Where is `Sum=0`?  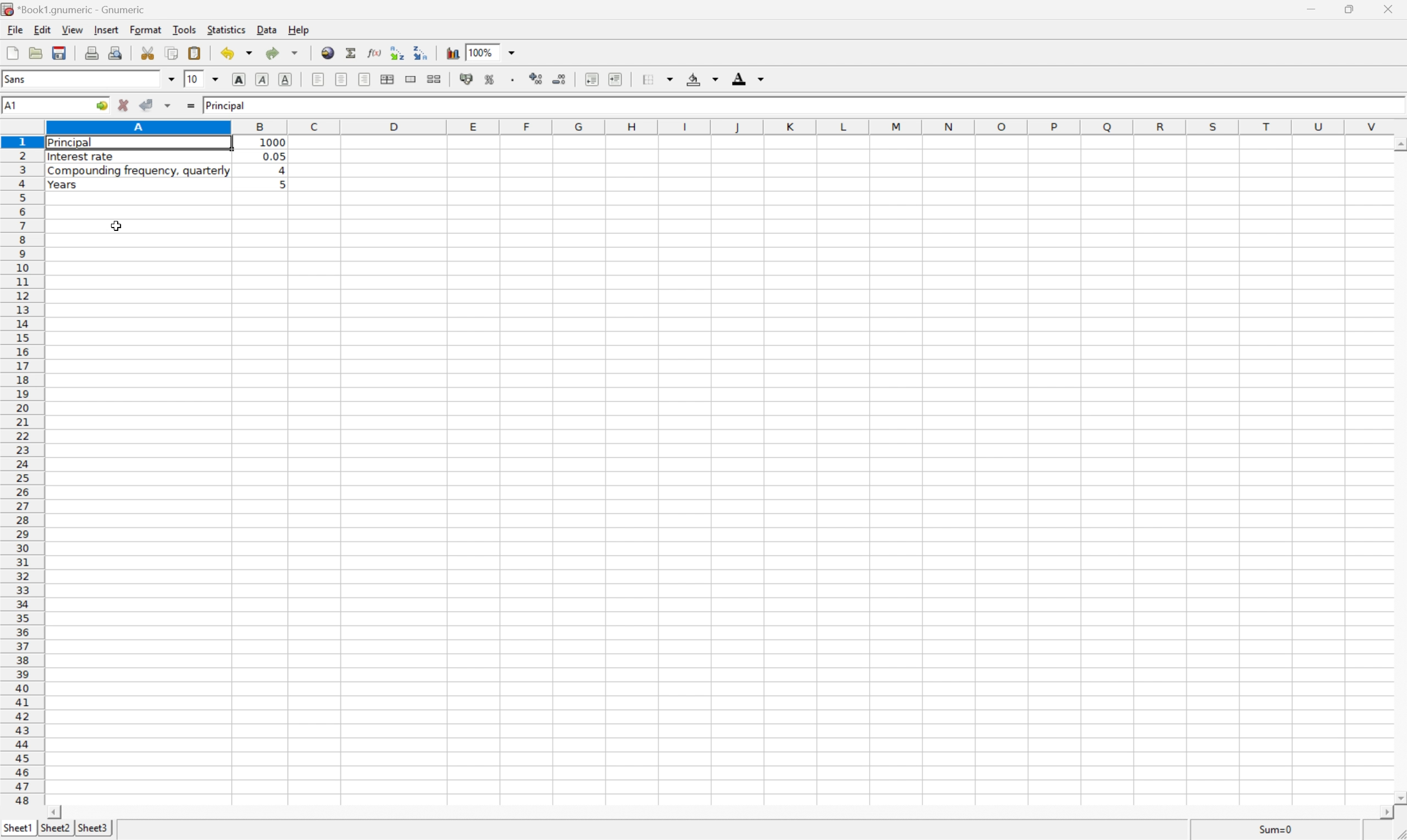
Sum=0 is located at coordinates (1276, 829).